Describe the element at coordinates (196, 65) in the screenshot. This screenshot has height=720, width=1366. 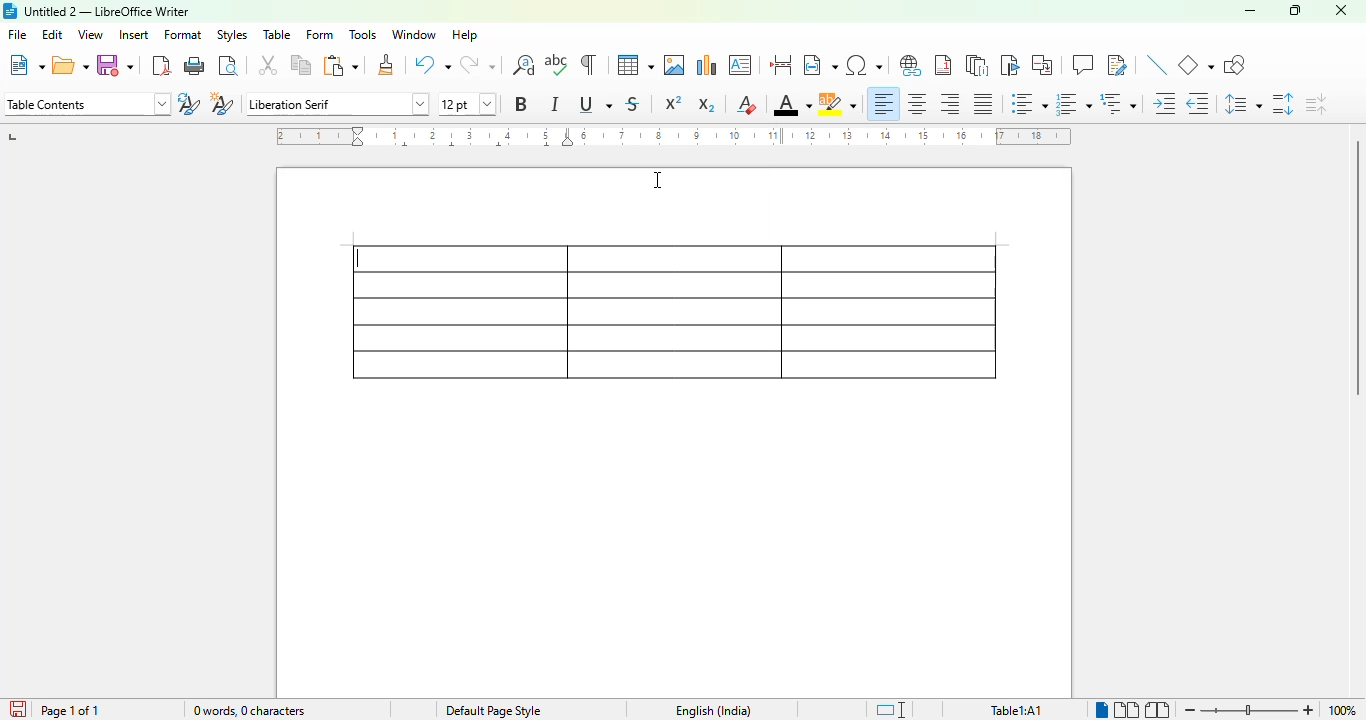
I see `print` at that location.